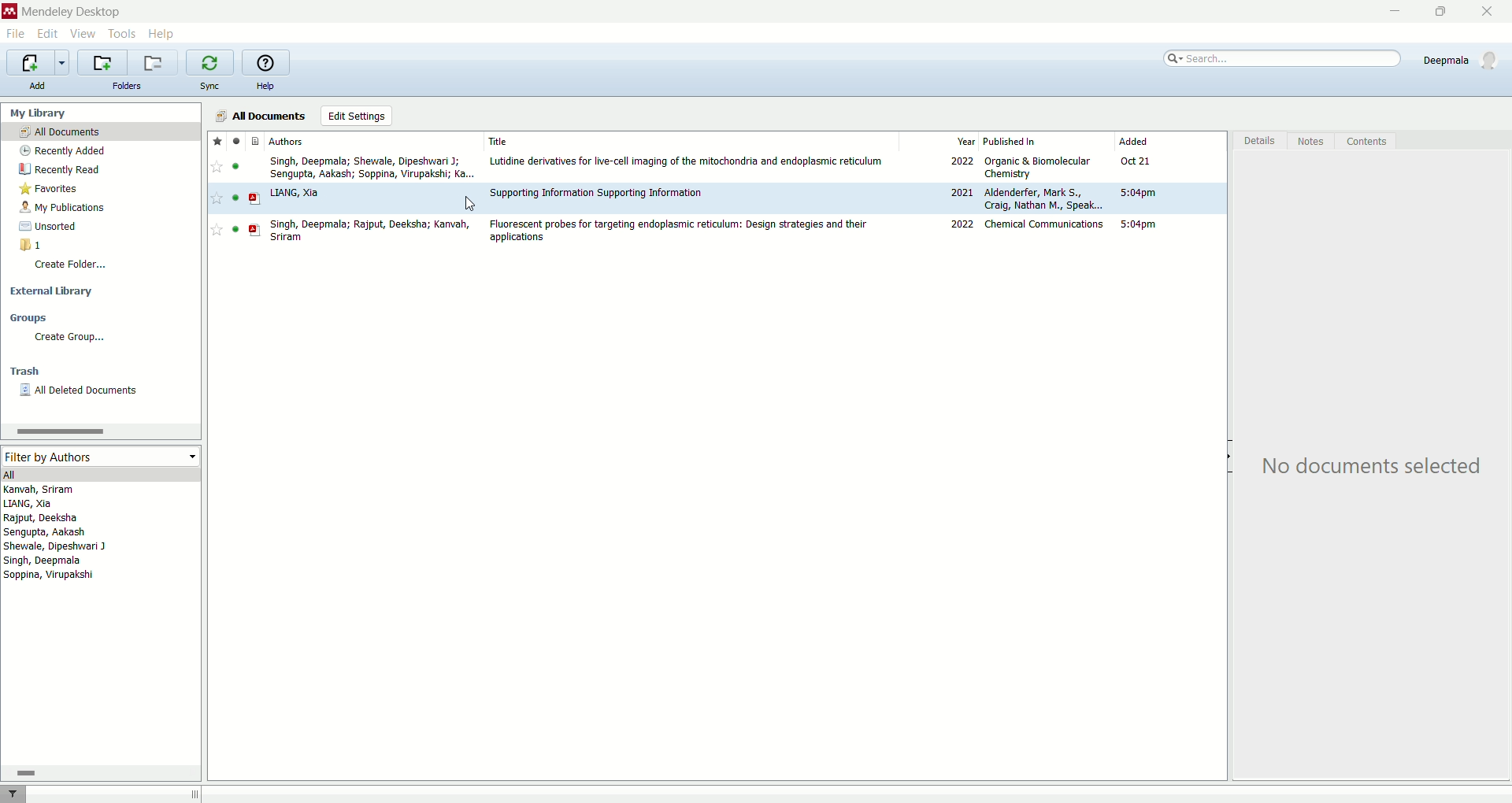 The height and width of the screenshot is (803, 1512). I want to click on Oct 21, so click(1136, 160).